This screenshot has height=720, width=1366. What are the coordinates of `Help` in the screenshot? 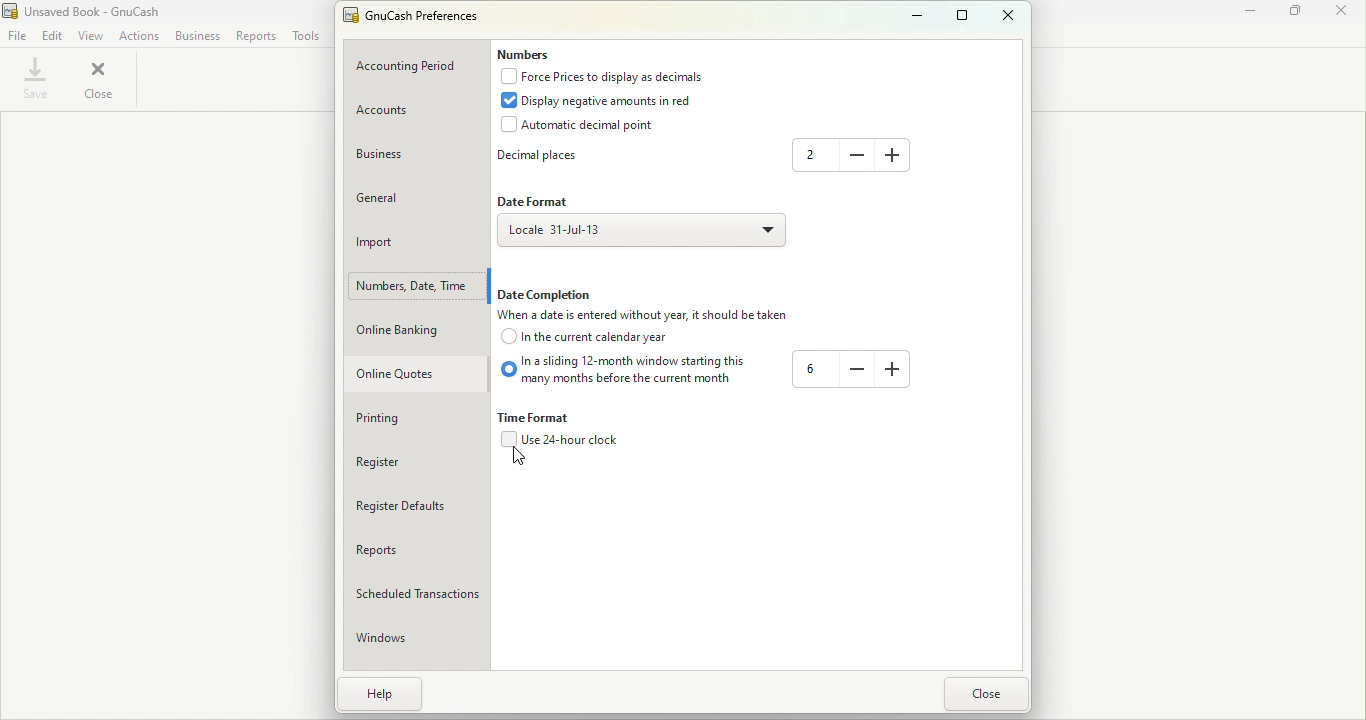 It's located at (384, 694).